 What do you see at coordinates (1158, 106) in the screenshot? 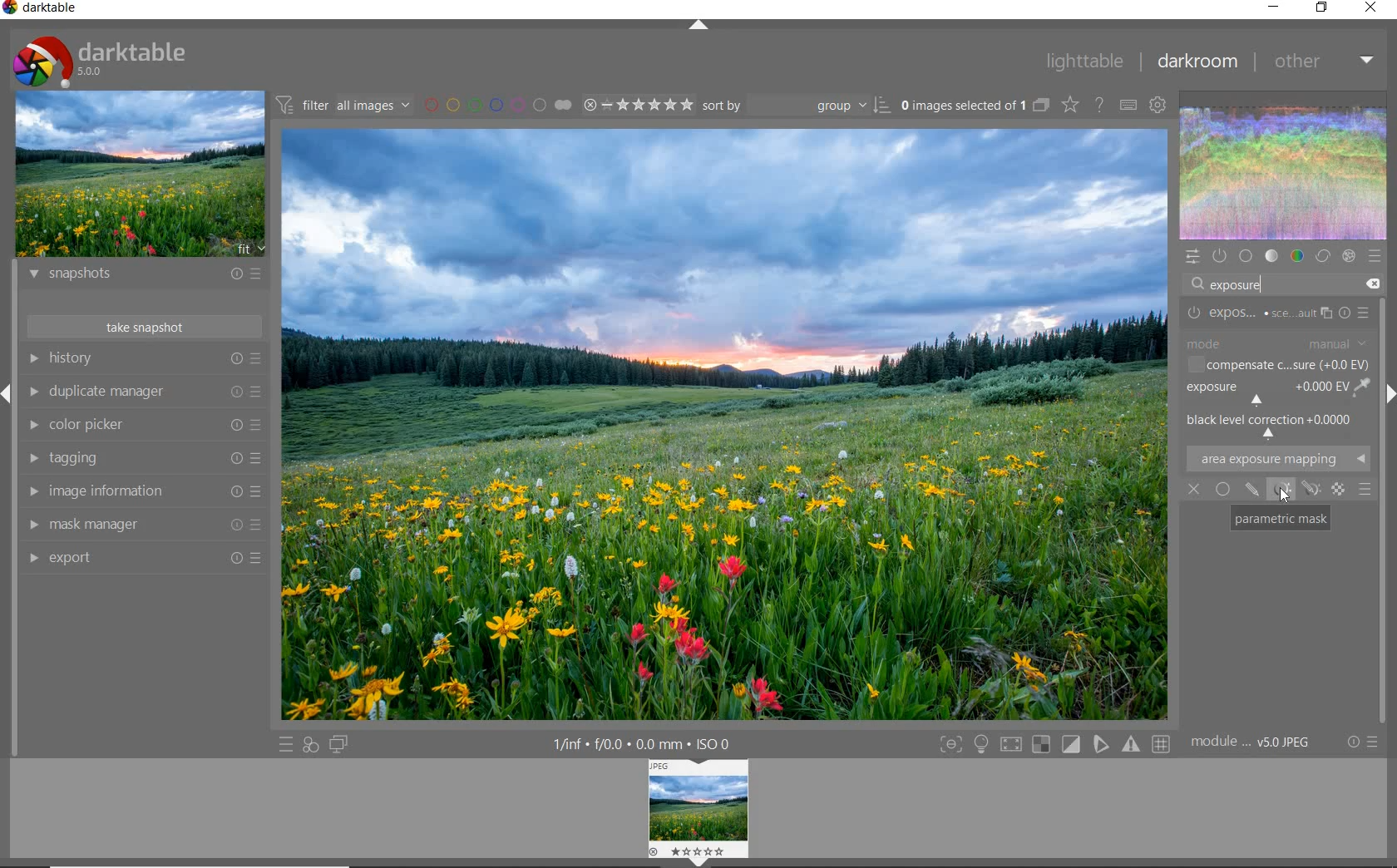
I see `show global preferences` at bounding box center [1158, 106].